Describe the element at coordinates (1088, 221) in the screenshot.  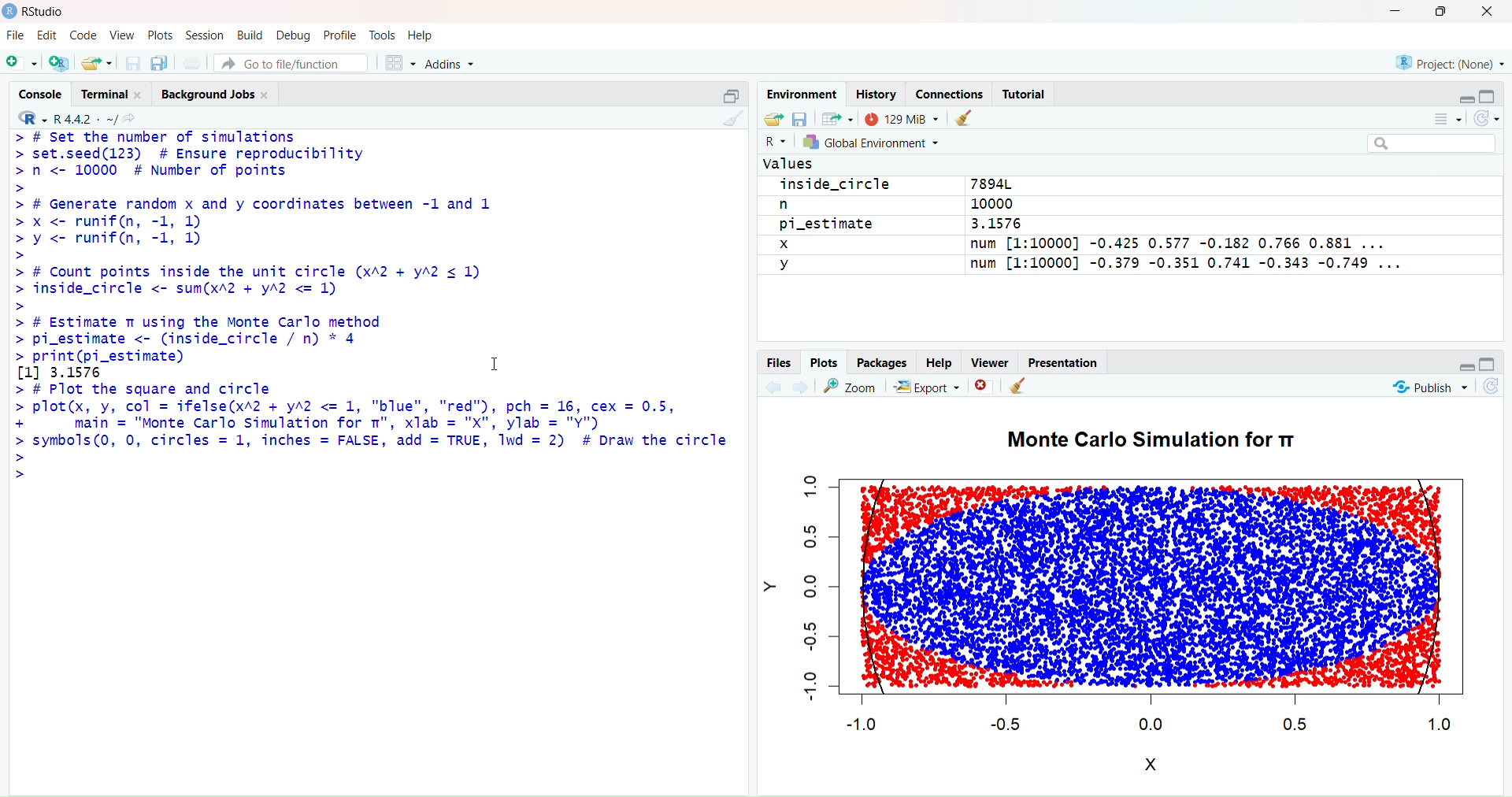
I see `Values
inside_circle 7894L
n 10000
pi_estimate 3.1576
x num [1:10000] -0.425 0.577 -0.182 0.766 0.881 ...
y num [1:10000] -0.379 -0.351 0.741 -0.343 -0.749 ...` at that location.